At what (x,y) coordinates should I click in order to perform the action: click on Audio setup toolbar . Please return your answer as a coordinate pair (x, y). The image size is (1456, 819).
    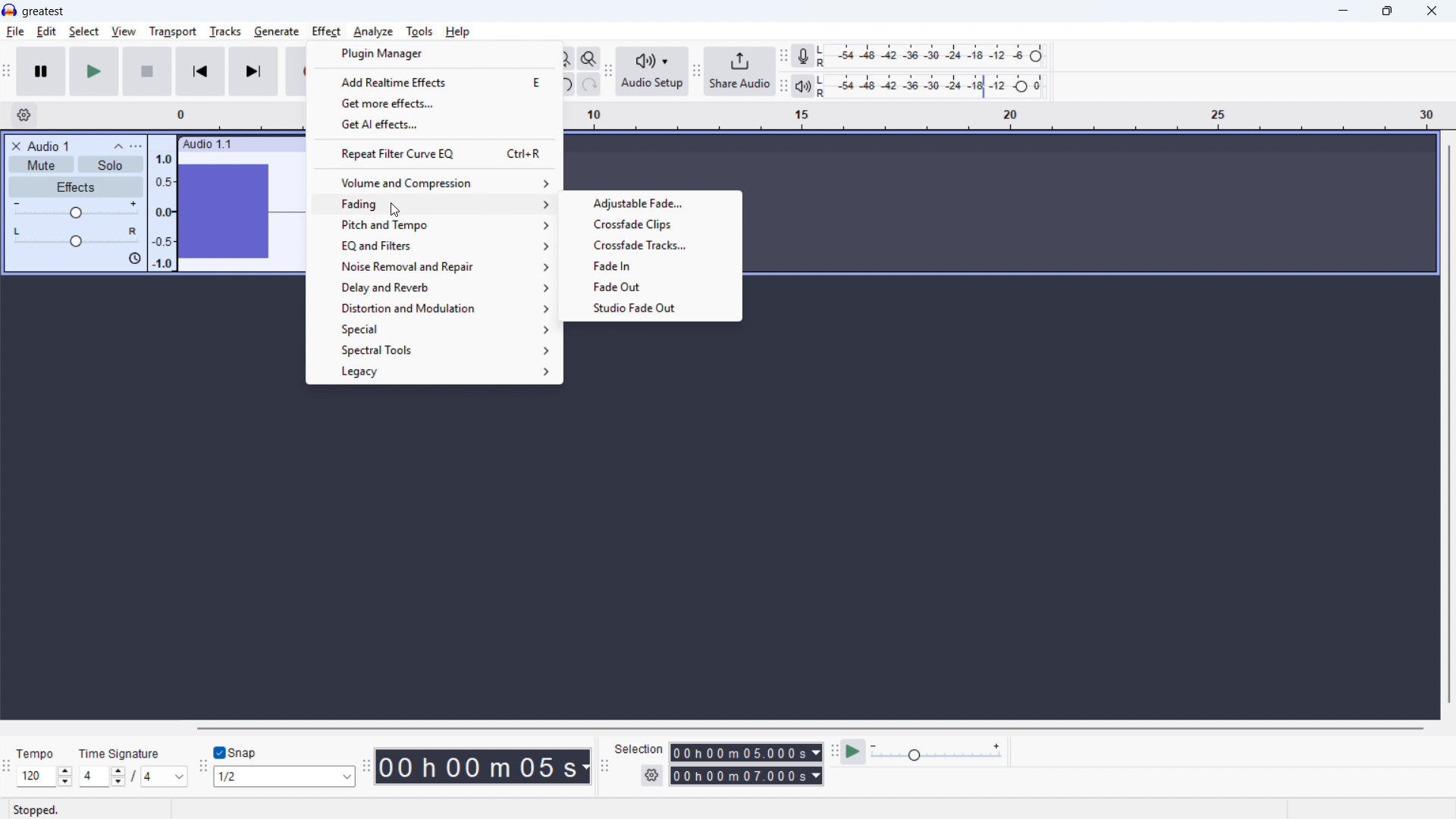
    Looking at the image, I should click on (609, 73).